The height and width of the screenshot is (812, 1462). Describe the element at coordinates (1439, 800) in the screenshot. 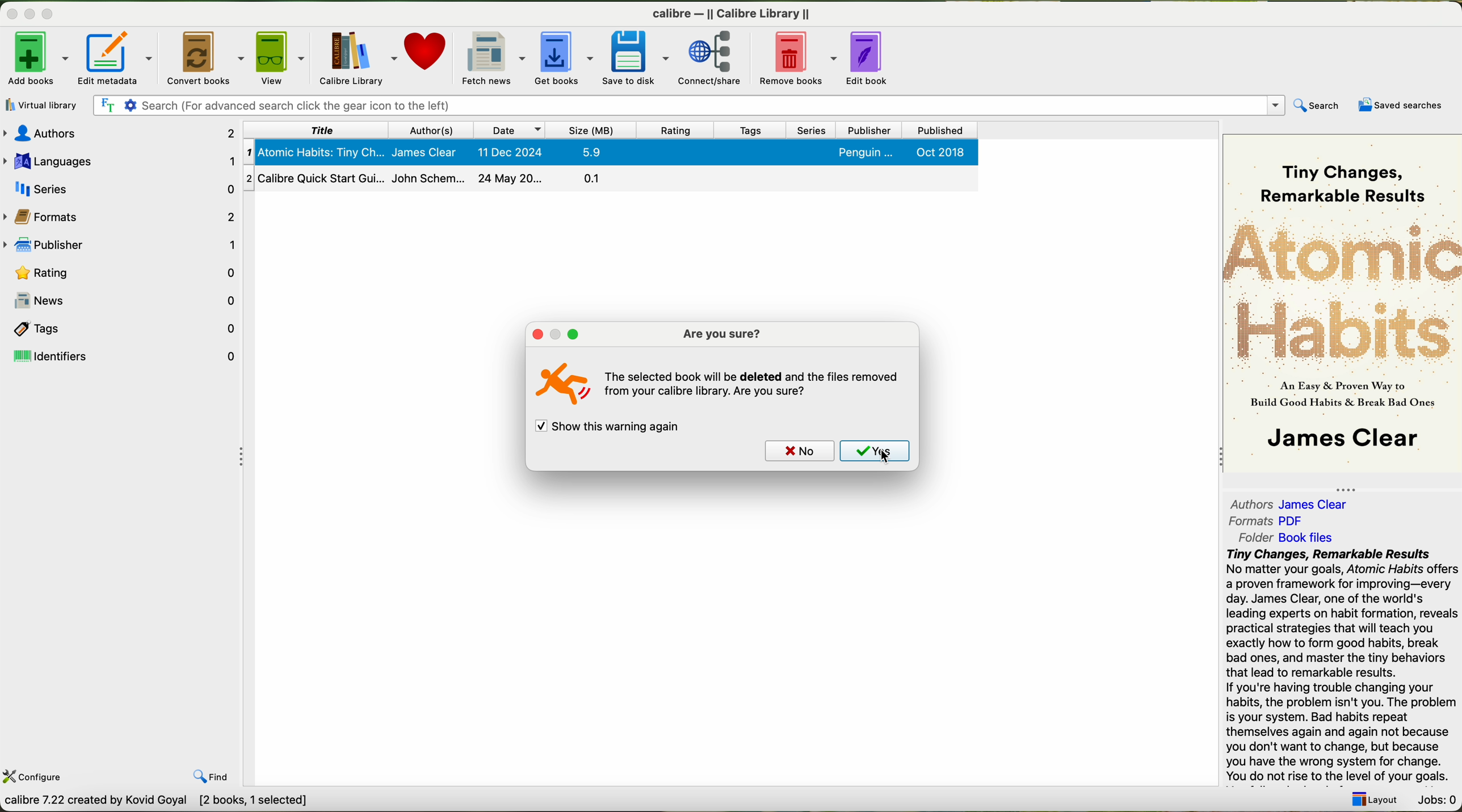

I see `Jobs: 0` at that location.